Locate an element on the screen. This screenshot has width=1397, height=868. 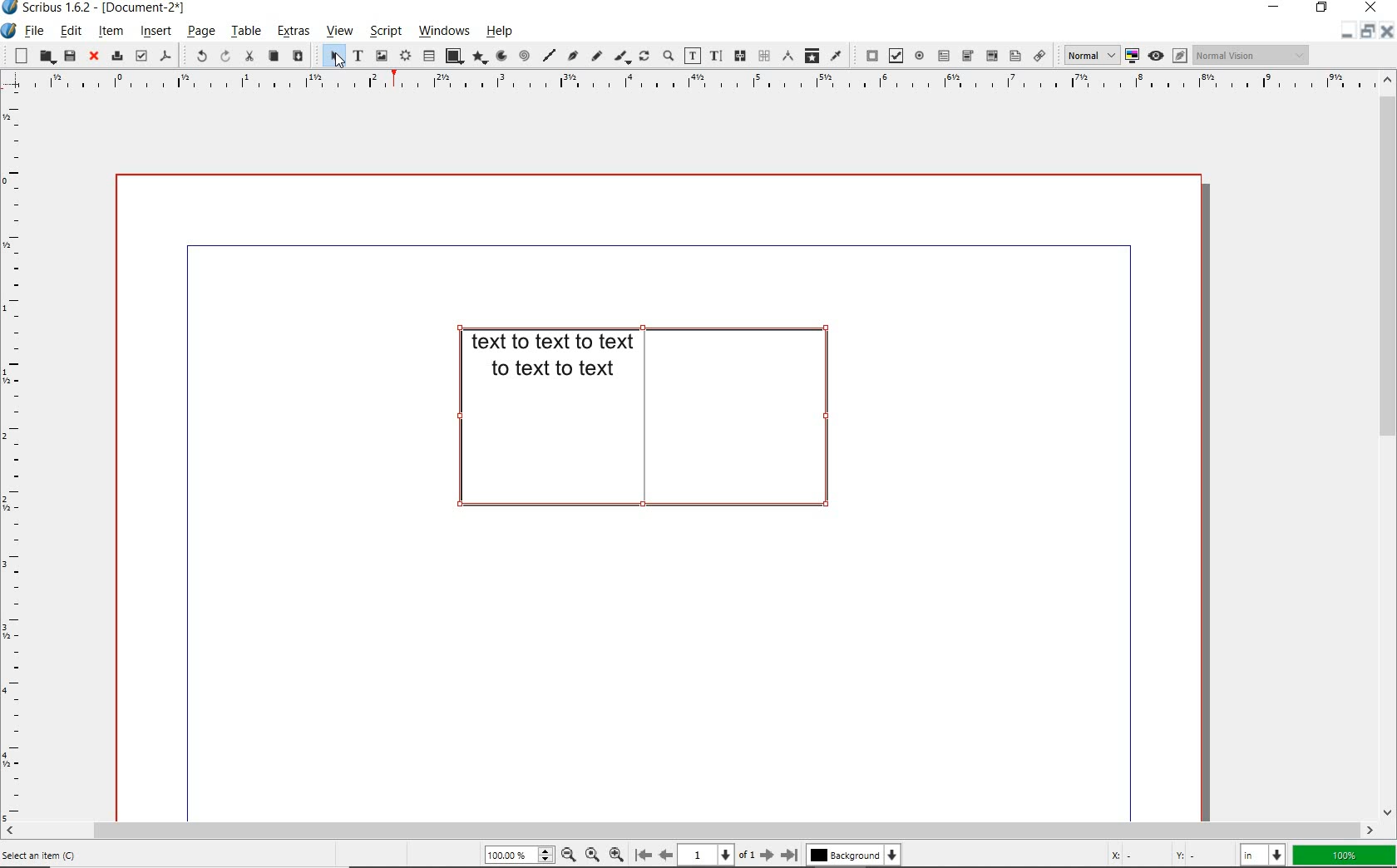
redo is located at coordinates (224, 56).